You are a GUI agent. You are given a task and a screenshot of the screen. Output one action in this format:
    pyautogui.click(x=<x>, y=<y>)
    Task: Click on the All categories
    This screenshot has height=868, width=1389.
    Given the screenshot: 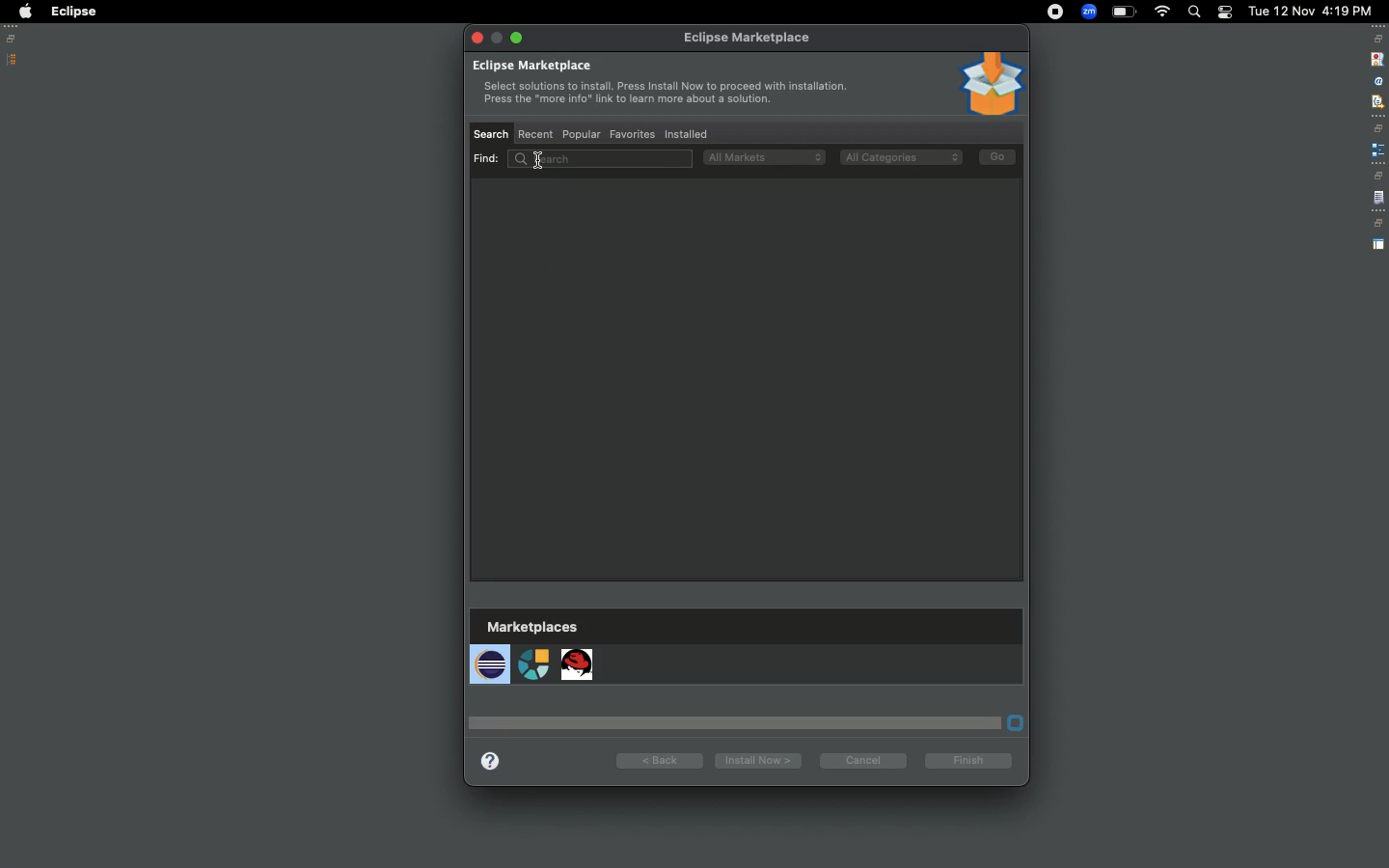 What is the action you would take?
    pyautogui.click(x=900, y=158)
    